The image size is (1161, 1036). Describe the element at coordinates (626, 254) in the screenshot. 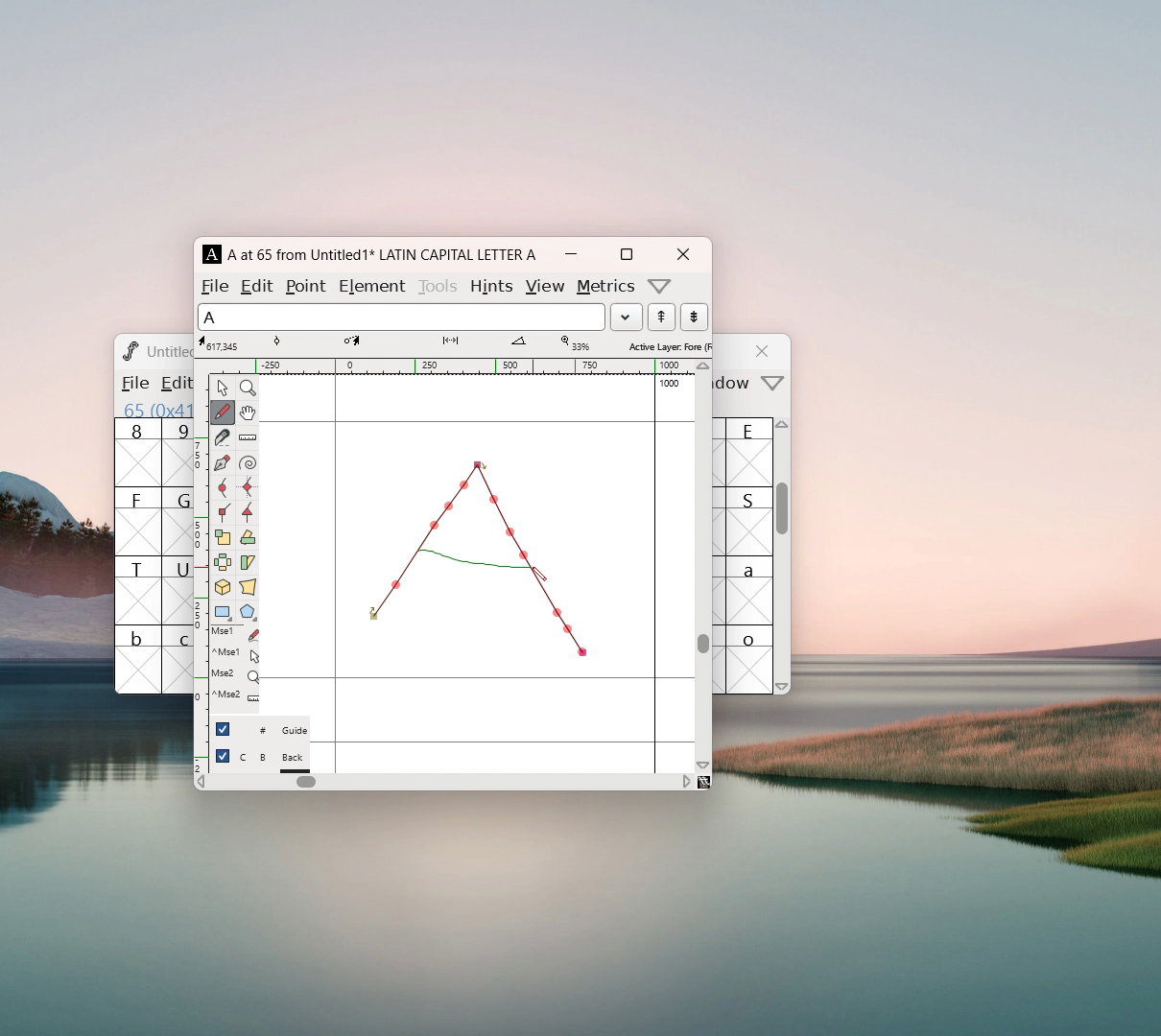

I see `maximize` at that location.